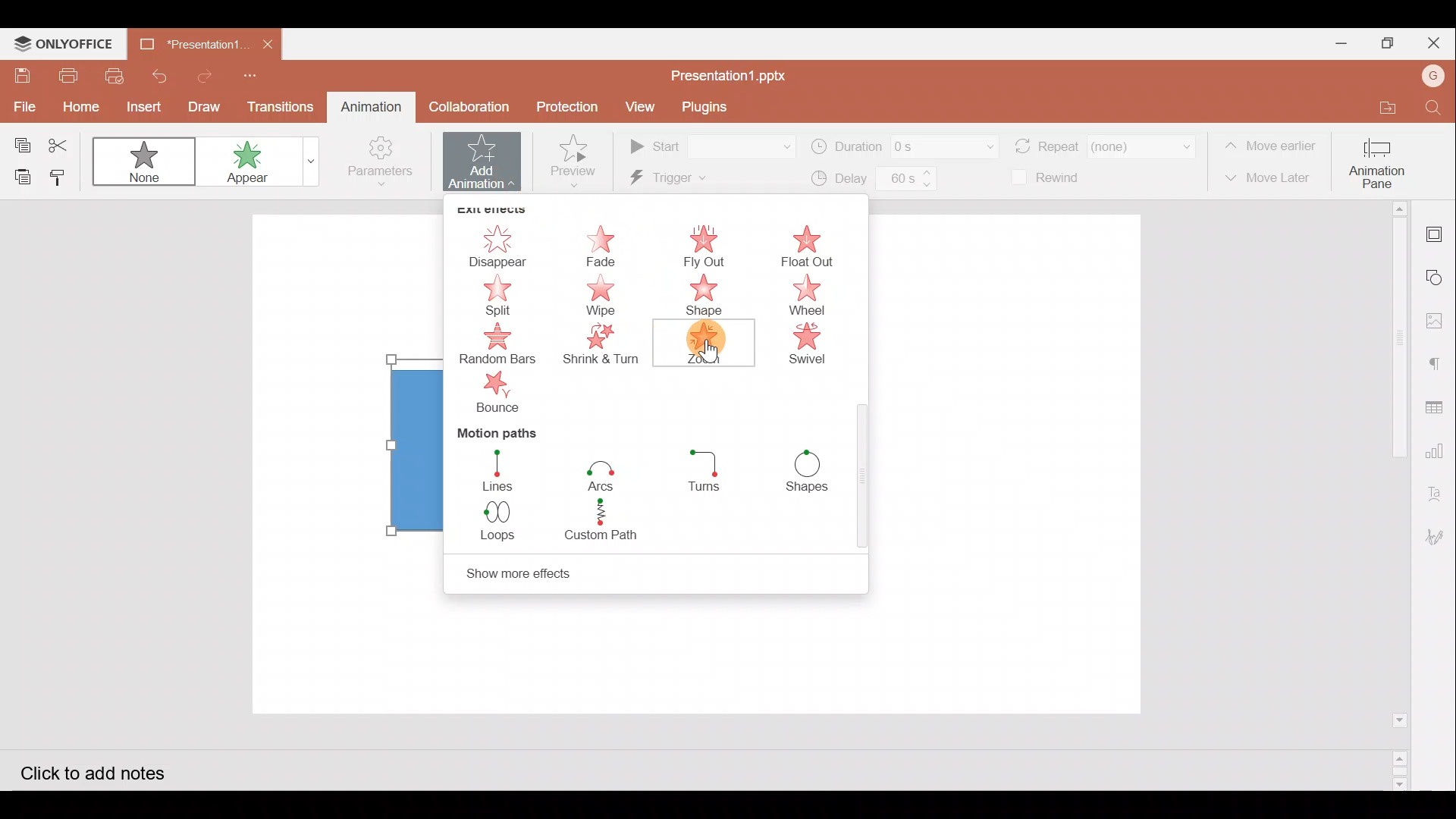  I want to click on Disappear, so click(497, 237).